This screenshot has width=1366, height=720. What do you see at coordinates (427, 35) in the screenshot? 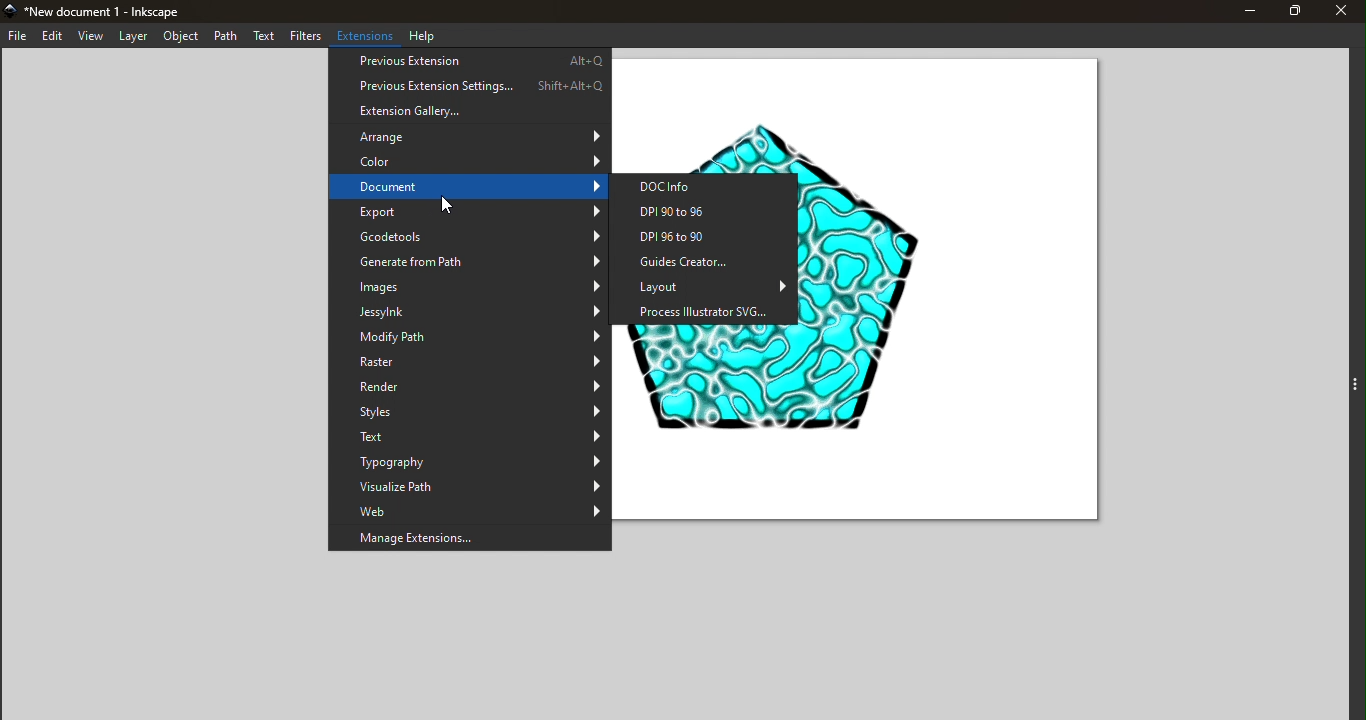
I see `Help` at bounding box center [427, 35].